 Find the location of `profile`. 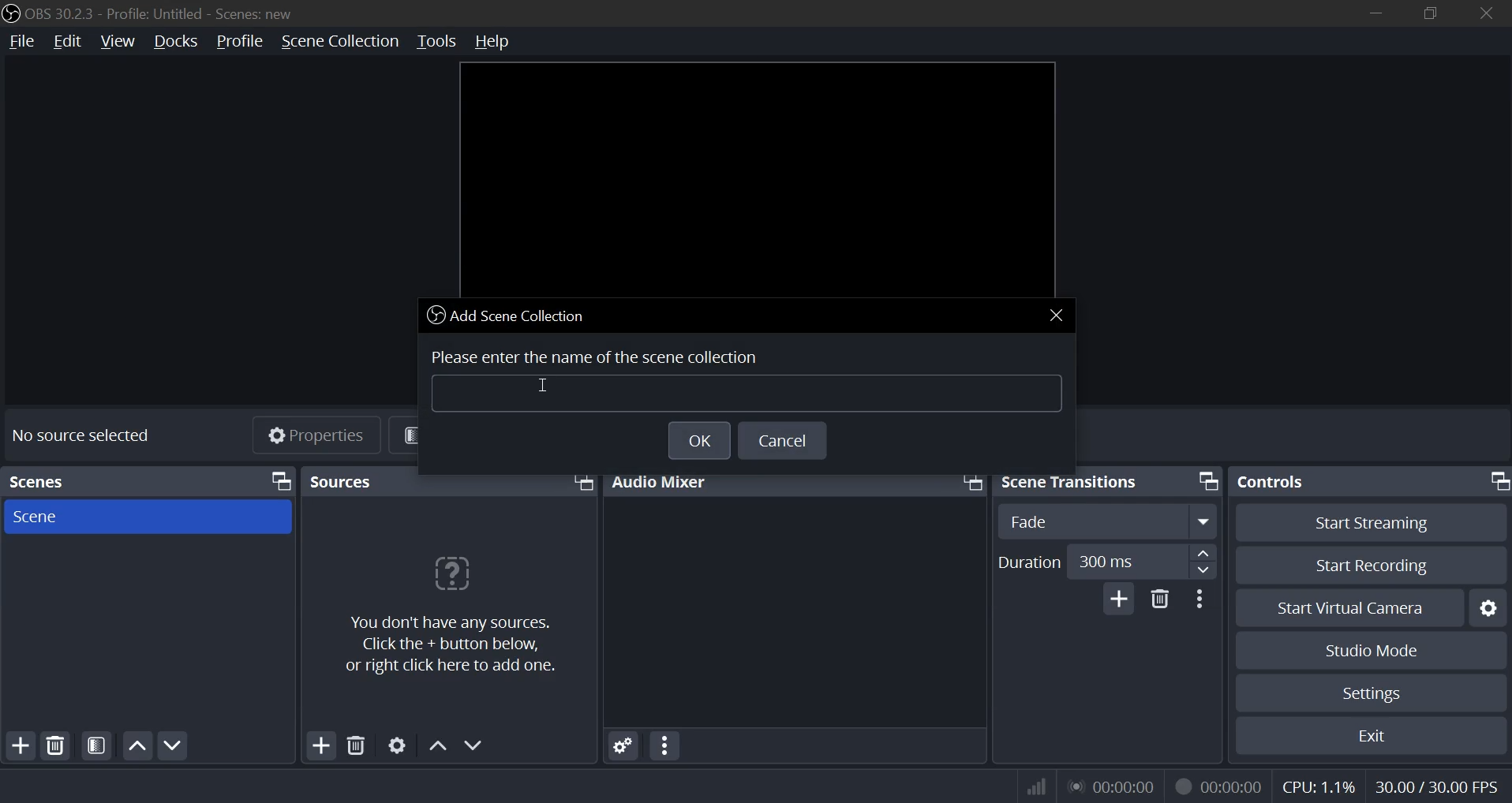

profile is located at coordinates (238, 42).